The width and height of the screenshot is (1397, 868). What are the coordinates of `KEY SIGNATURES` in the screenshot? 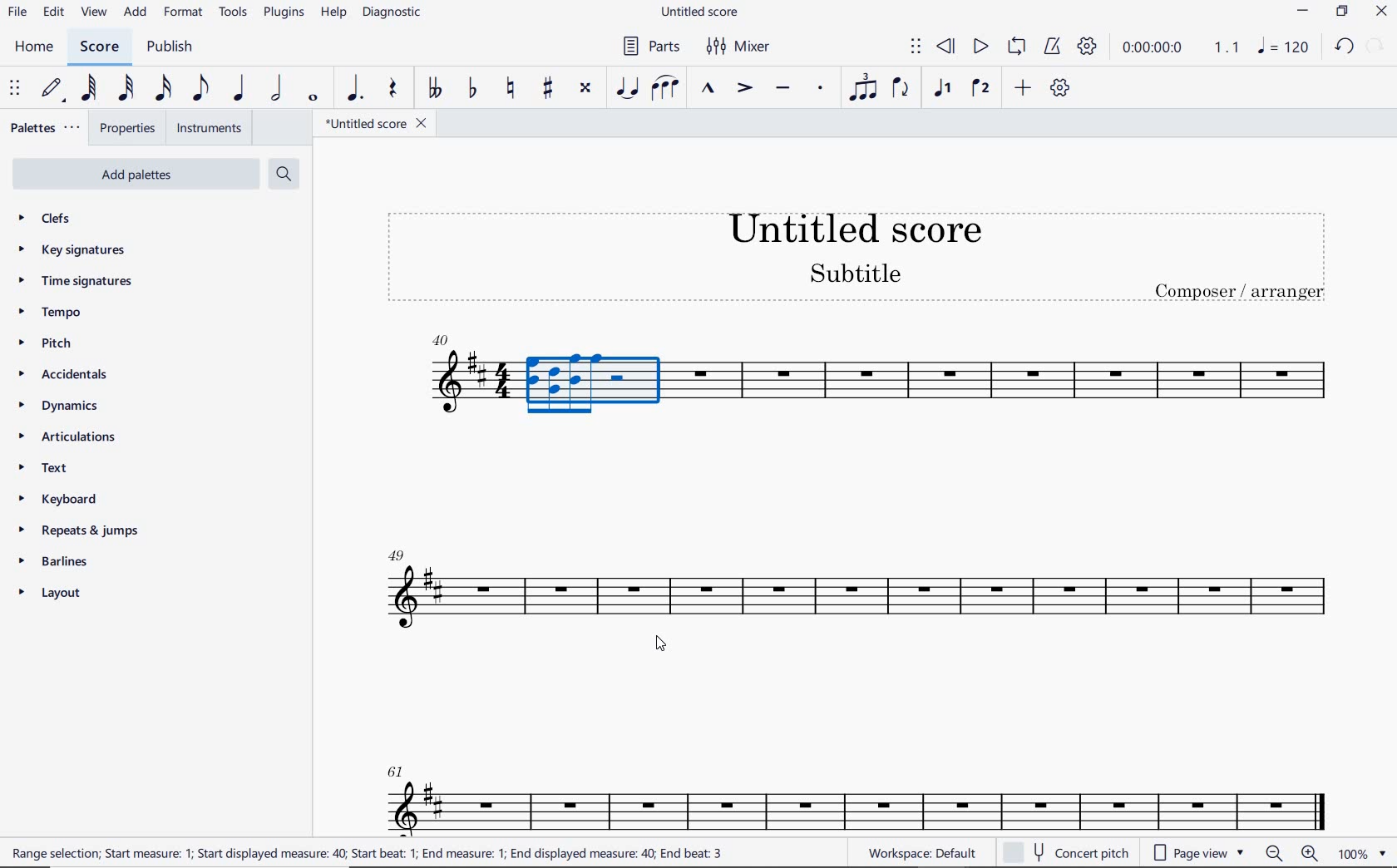 It's located at (77, 249).